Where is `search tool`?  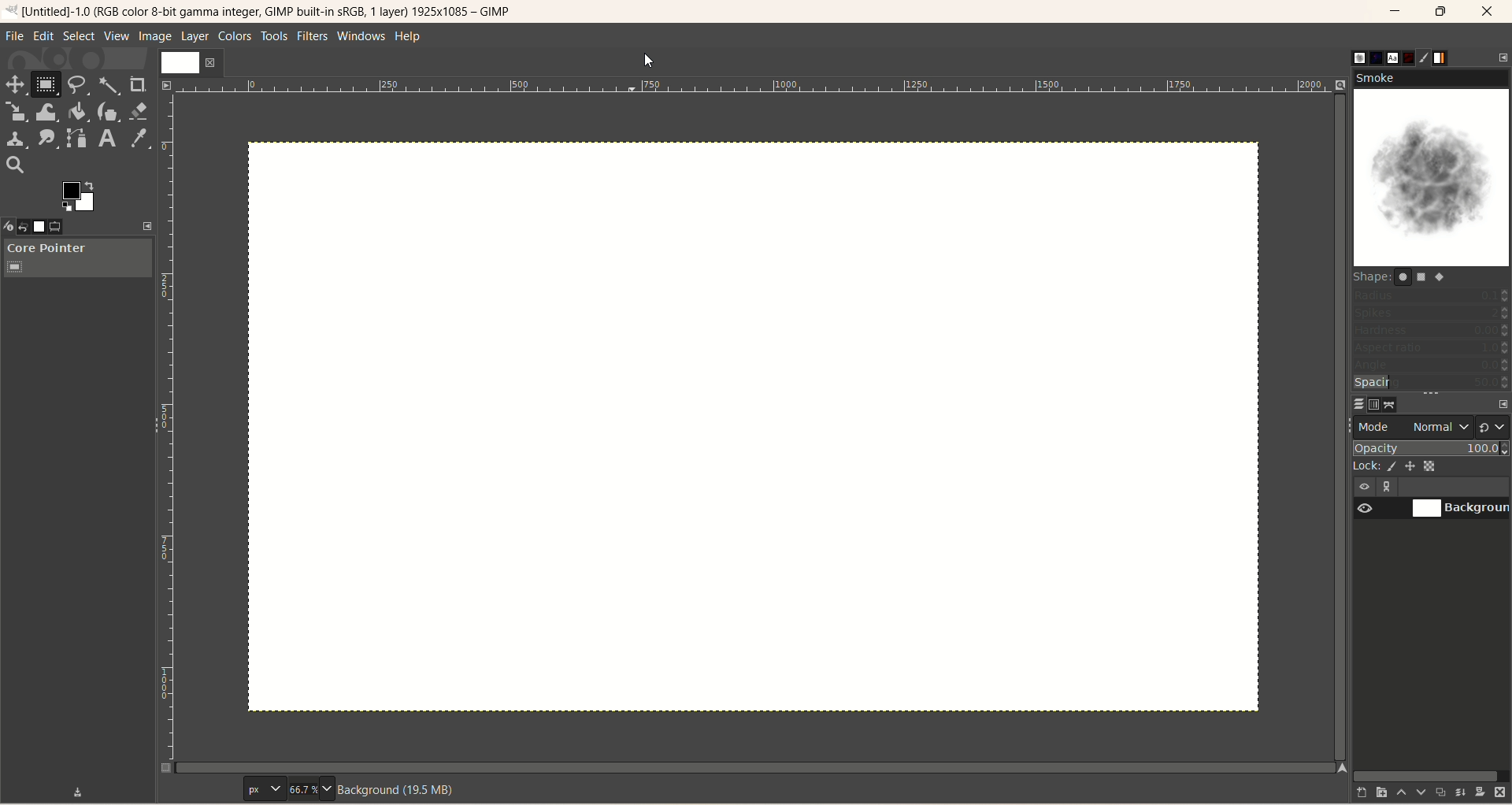 search tool is located at coordinates (15, 166).